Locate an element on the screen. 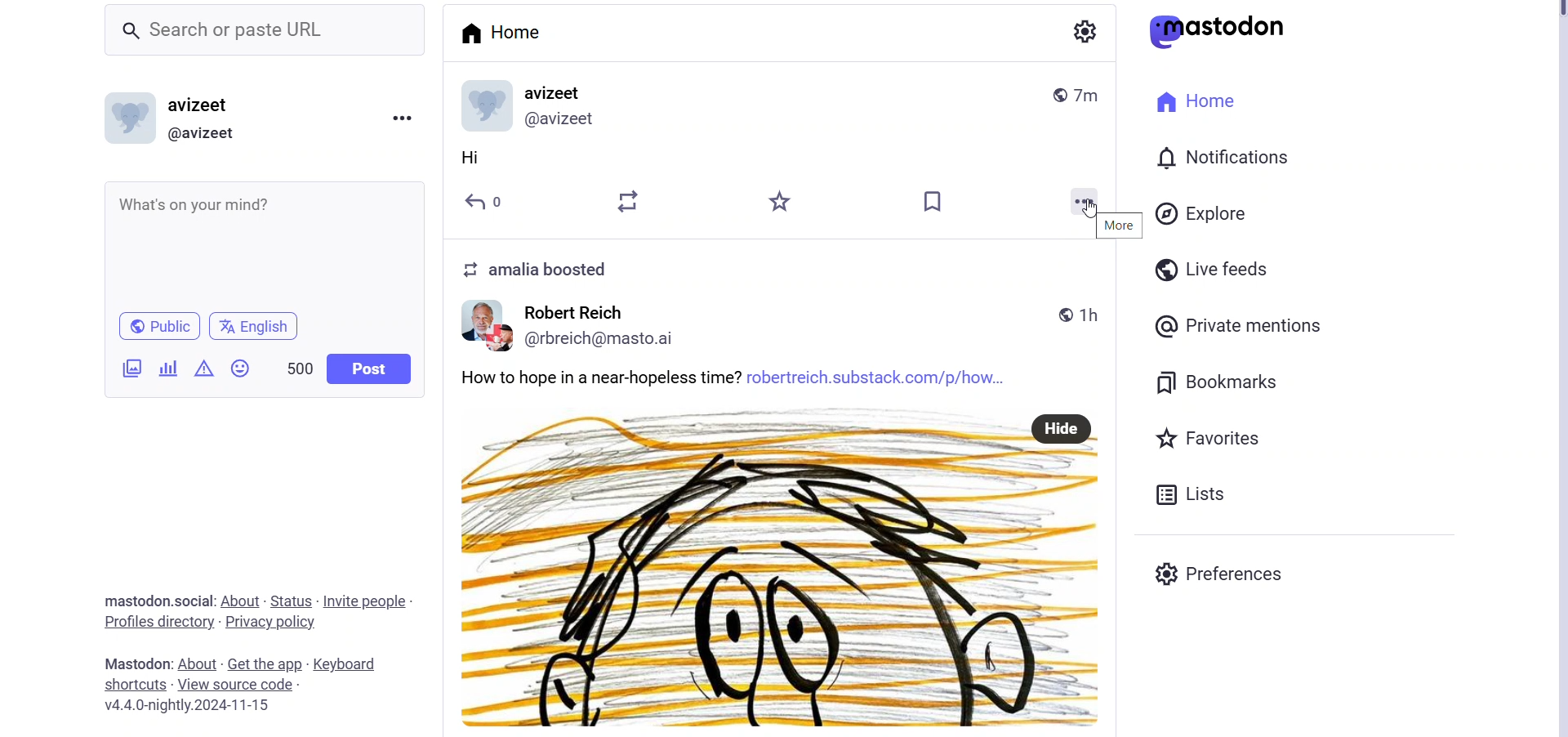 The height and width of the screenshot is (737, 1568). preferences is located at coordinates (1222, 572).